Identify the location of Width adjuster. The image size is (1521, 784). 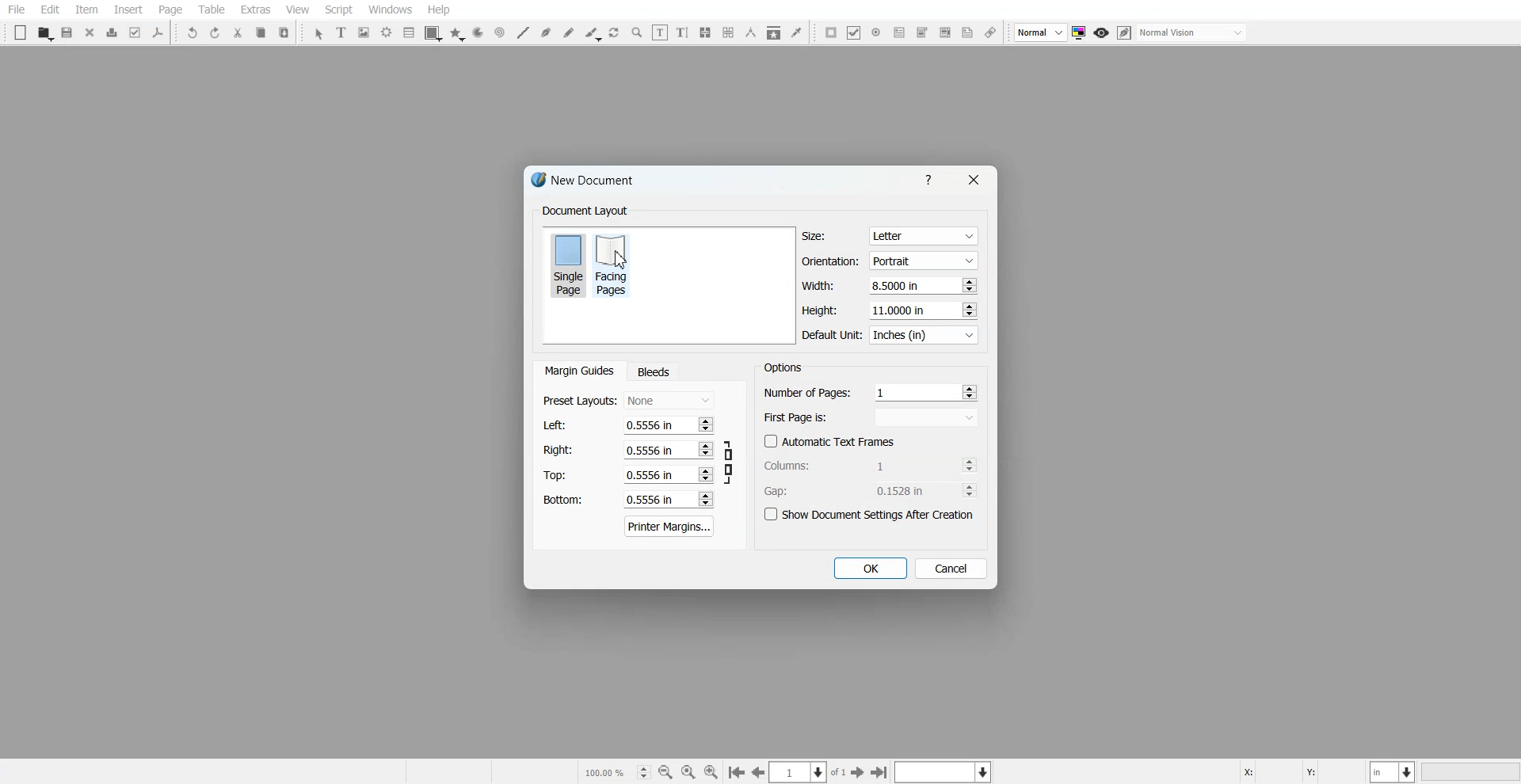
(889, 286).